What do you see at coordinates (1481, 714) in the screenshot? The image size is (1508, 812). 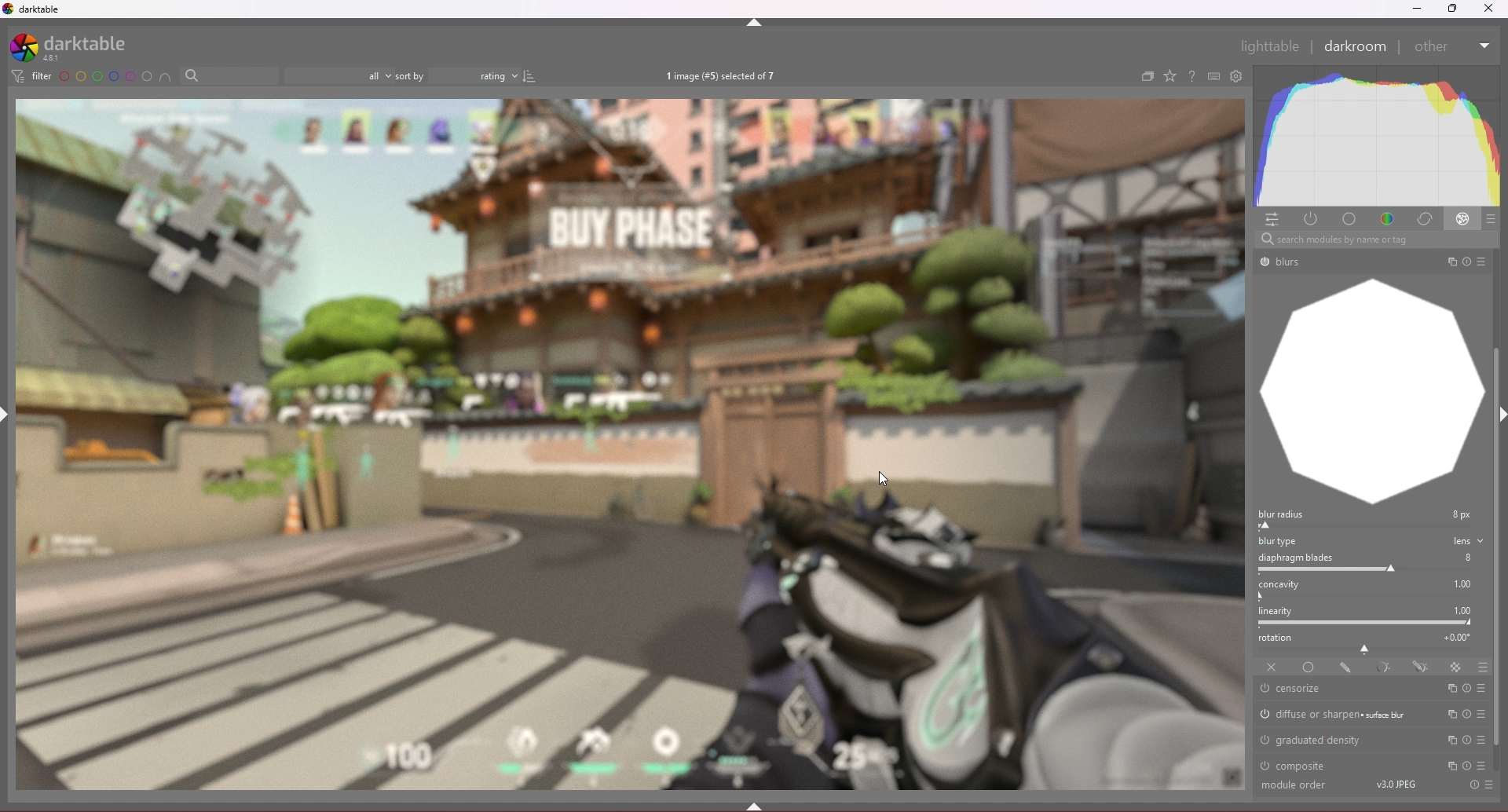 I see `presets` at bounding box center [1481, 714].